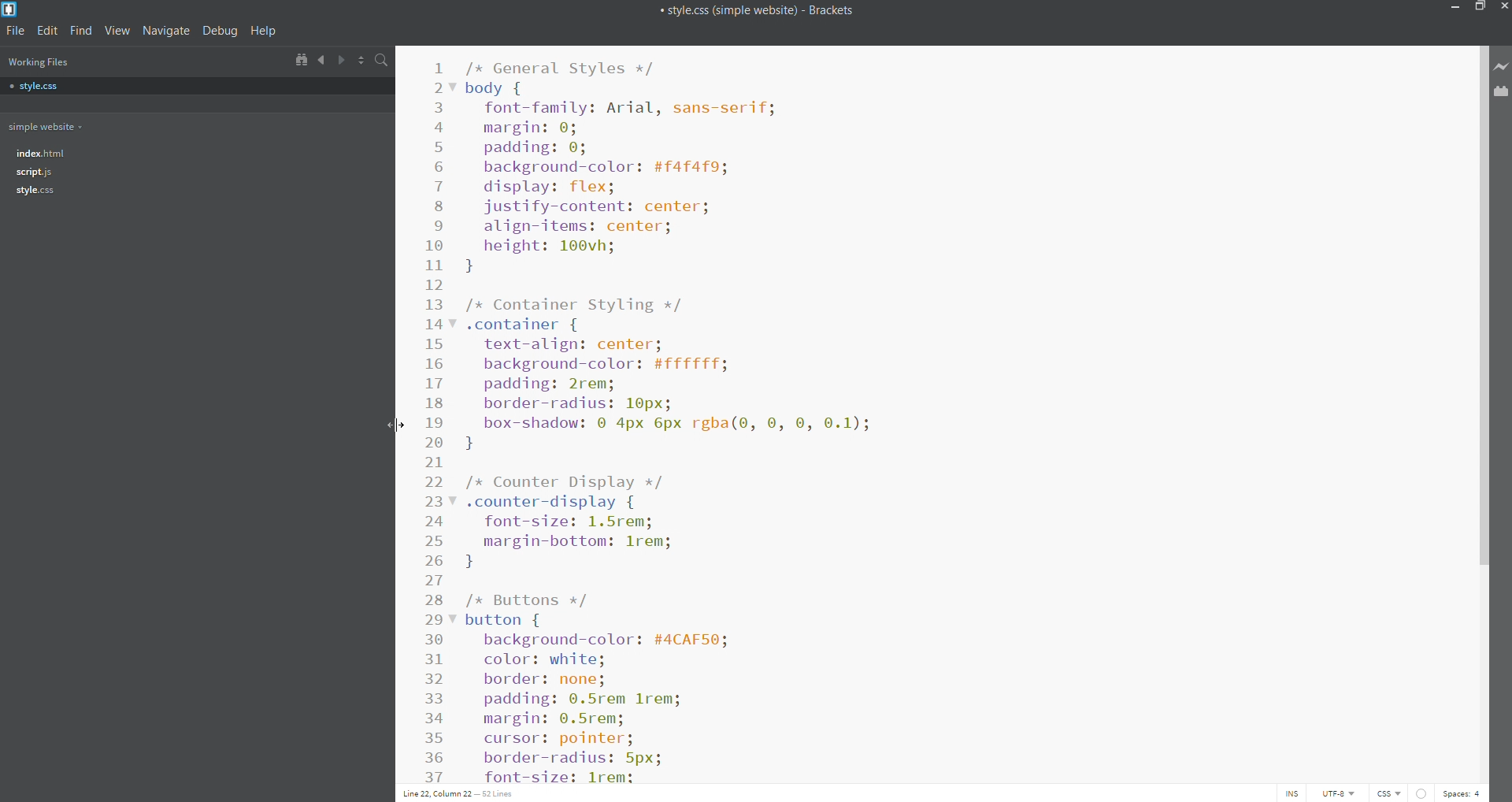 This screenshot has height=802, width=1512. Describe the element at coordinates (948, 415) in the screenshot. I see `code editor` at that location.